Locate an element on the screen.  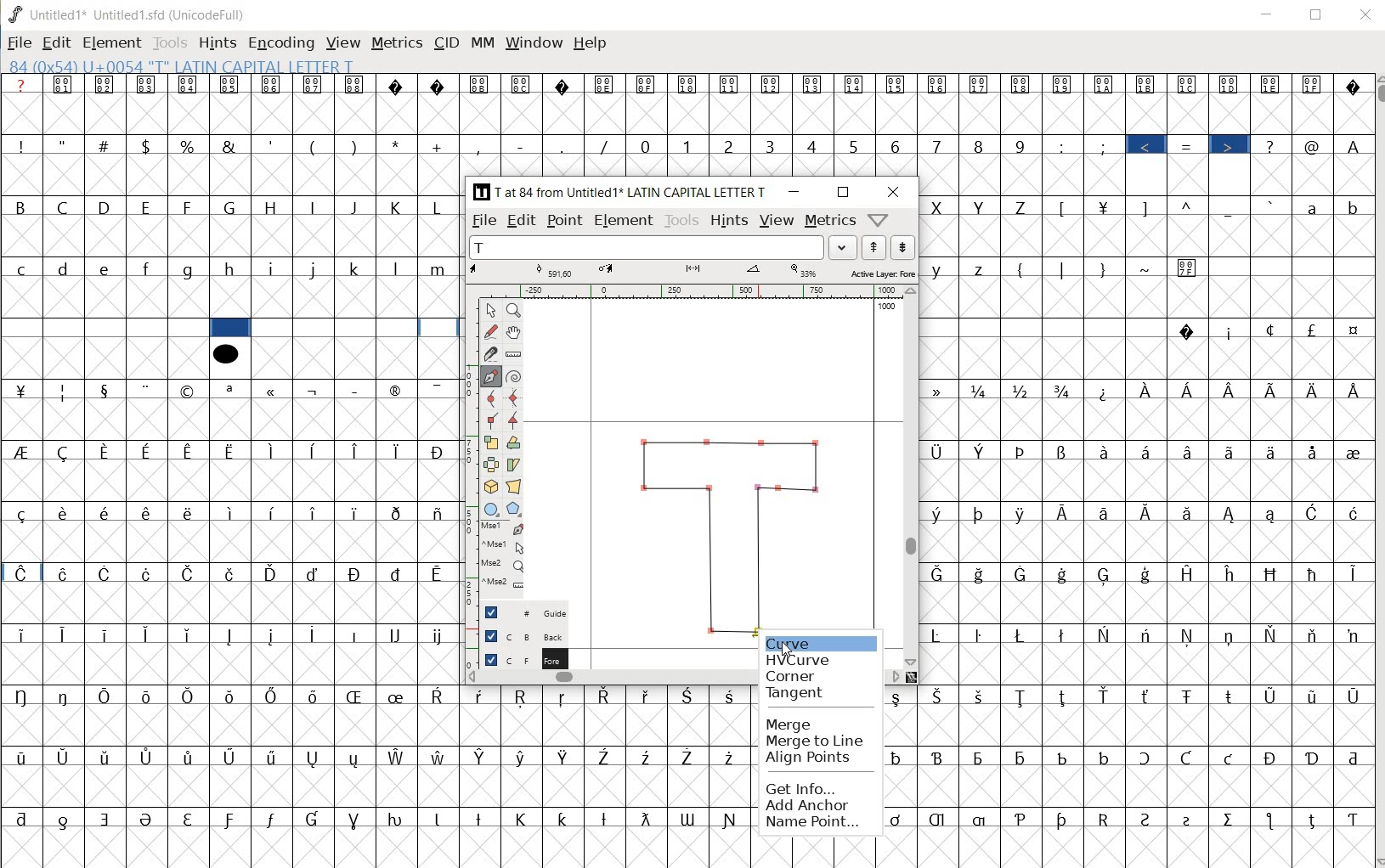
Symbol is located at coordinates (605, 85).